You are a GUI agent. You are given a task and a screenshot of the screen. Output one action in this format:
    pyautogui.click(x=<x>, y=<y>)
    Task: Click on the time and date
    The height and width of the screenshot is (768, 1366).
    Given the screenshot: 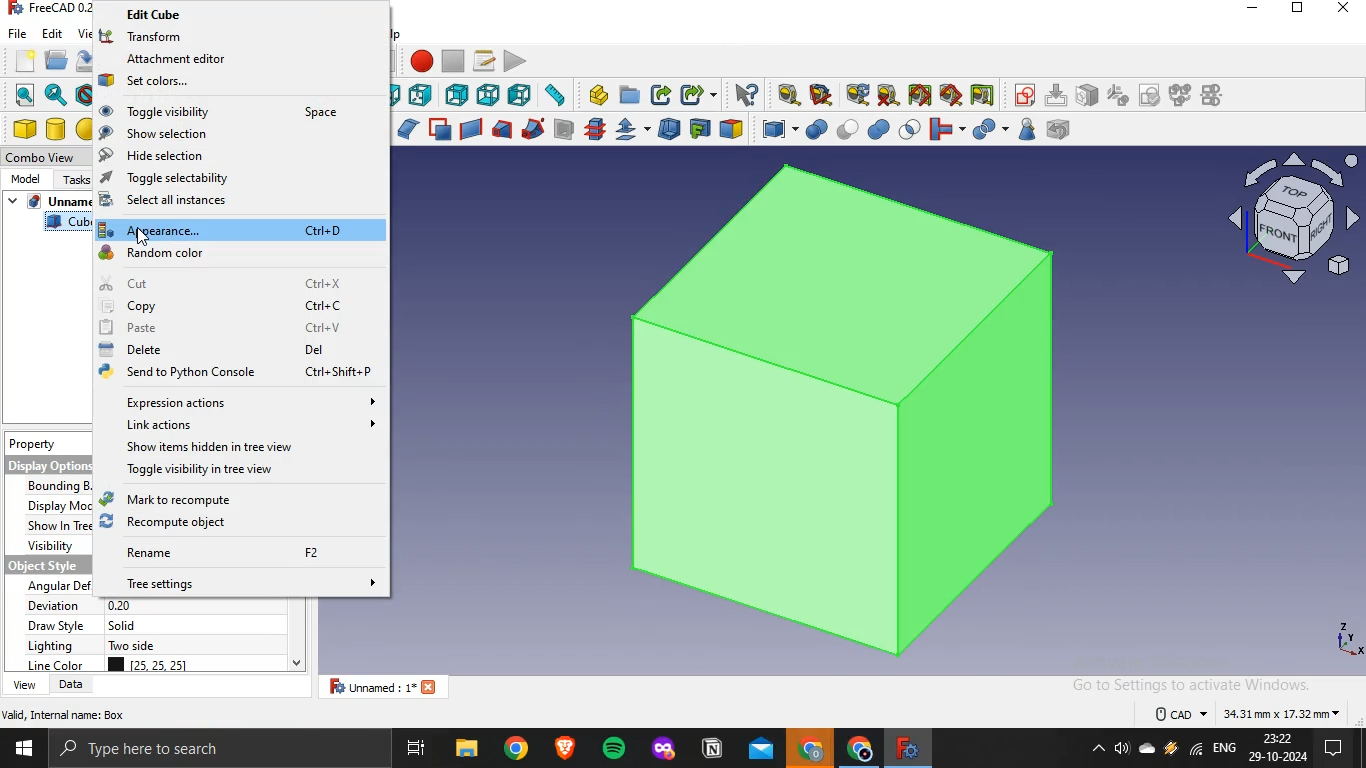 What is the action you would take?
    pyautogui.click(x=1279, y=748)
    